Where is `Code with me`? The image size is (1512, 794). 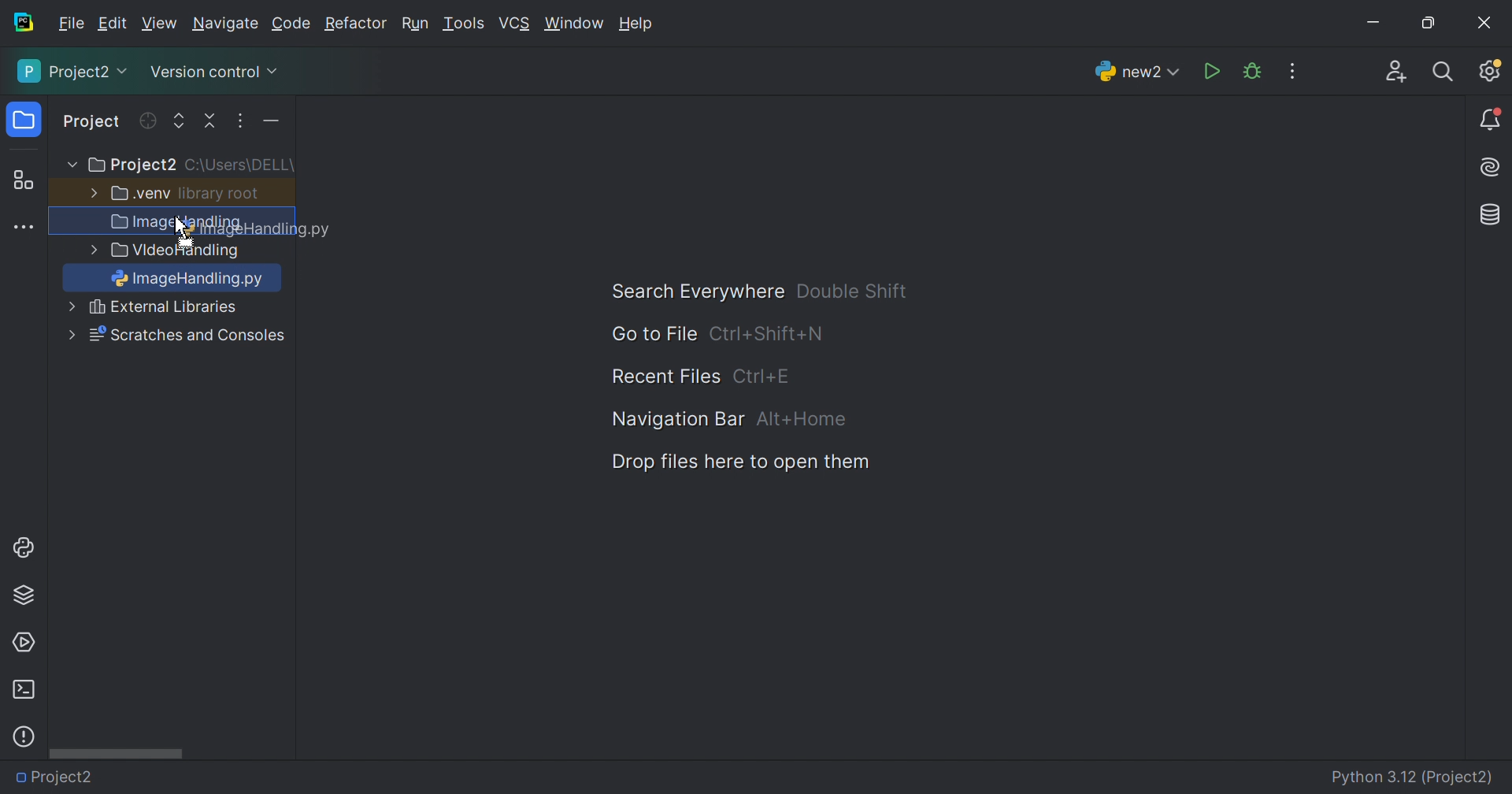 Code with me is located at coordinates (1396, 74).